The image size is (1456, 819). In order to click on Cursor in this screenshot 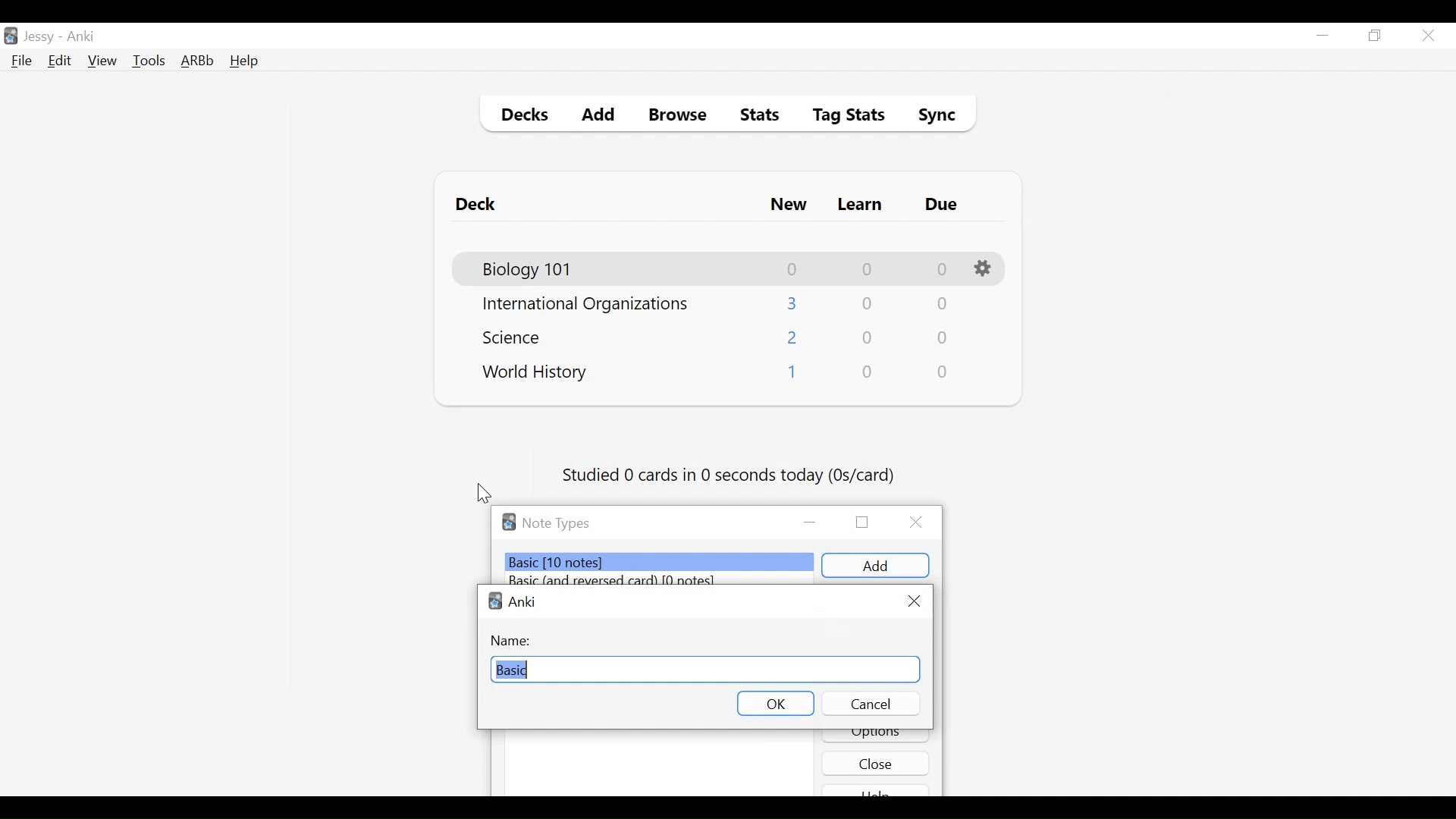, I will do `click(485, 494)`.